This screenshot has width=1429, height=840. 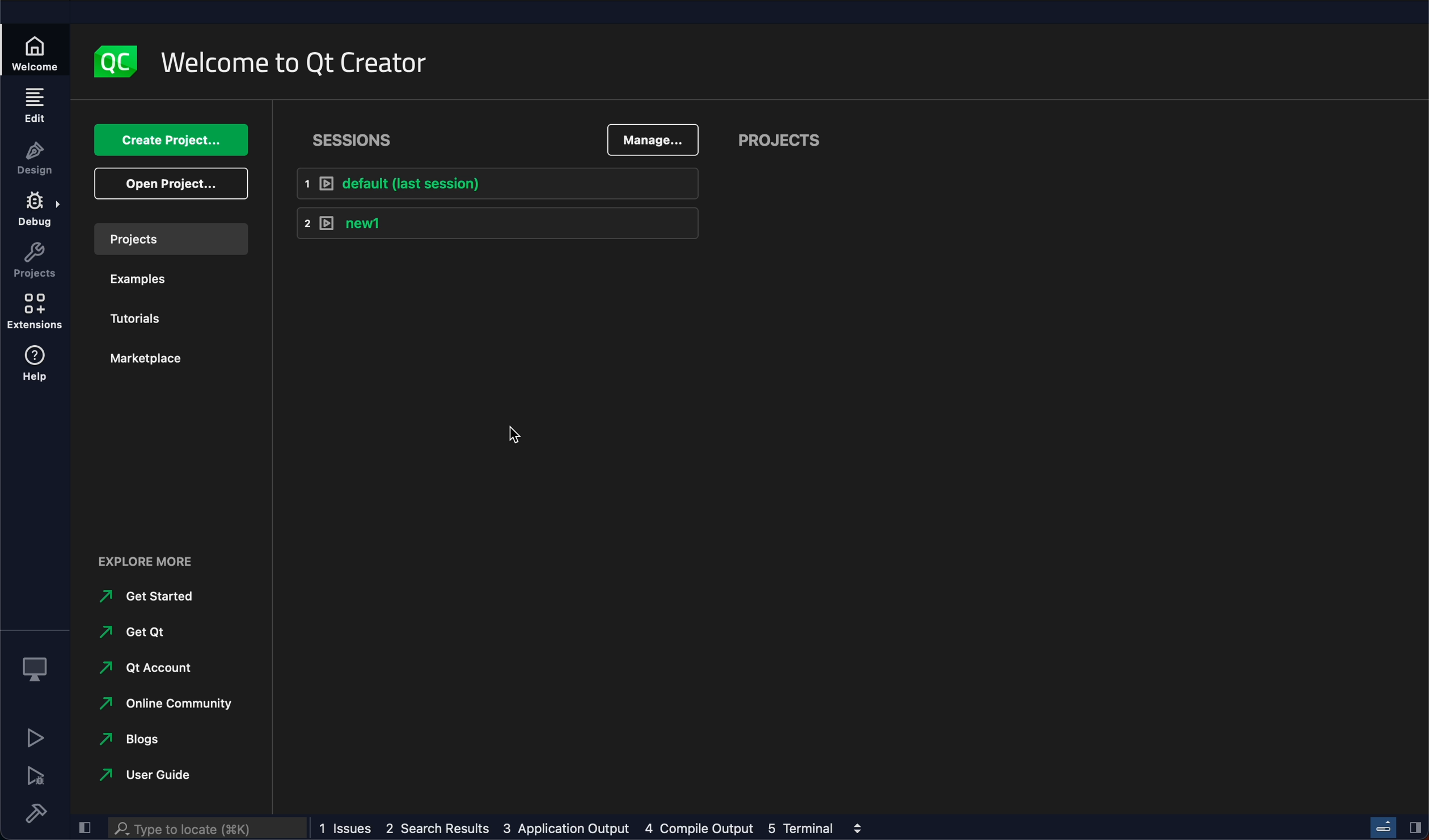 What do you see at coordinates (777, 141) in the screenshot?
I see `project` at bounding box center [777, 141].